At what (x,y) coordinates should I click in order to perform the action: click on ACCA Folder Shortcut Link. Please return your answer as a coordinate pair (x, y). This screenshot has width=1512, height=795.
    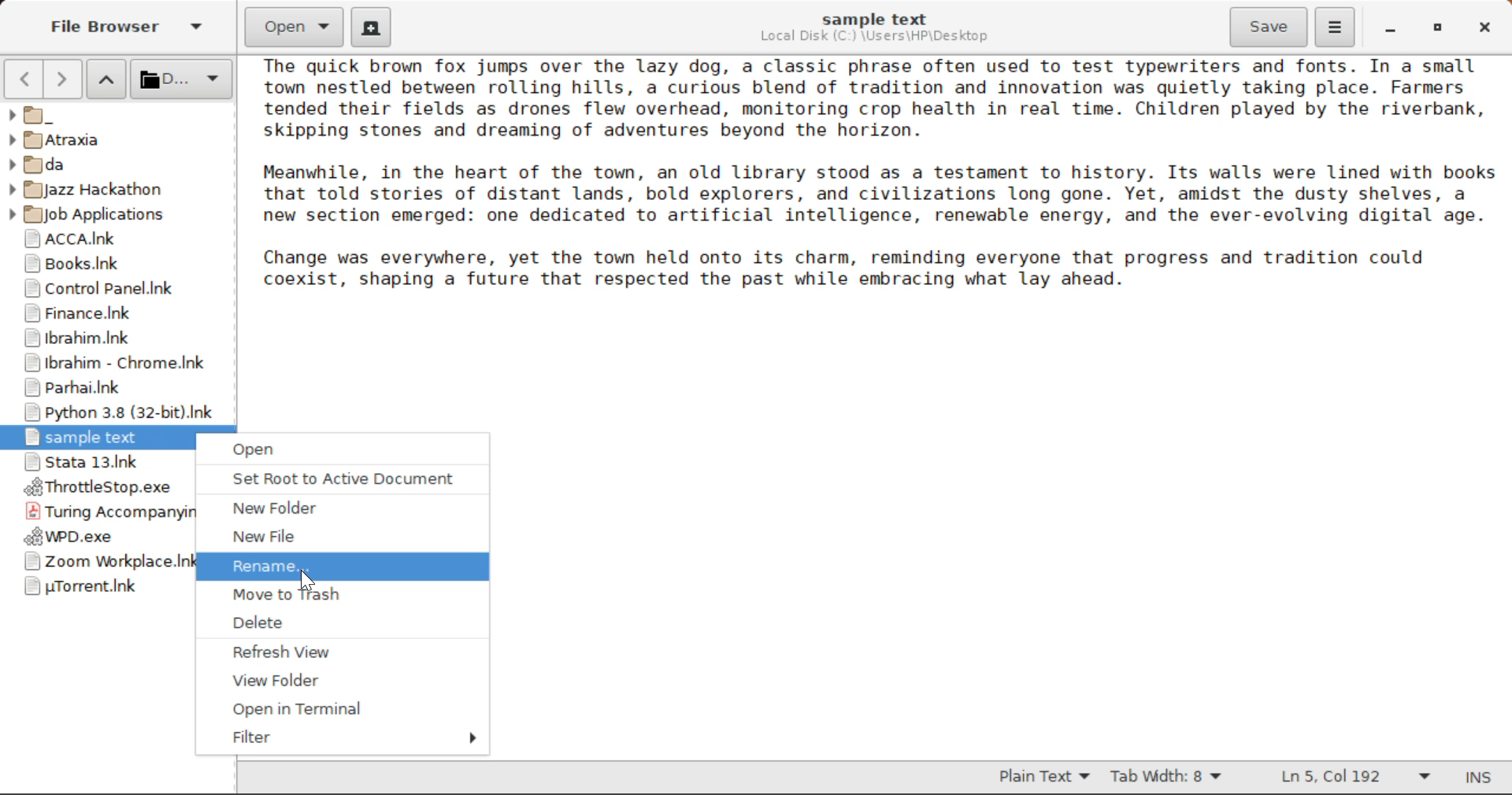
    Looking at the image, I should click on (119, 239).